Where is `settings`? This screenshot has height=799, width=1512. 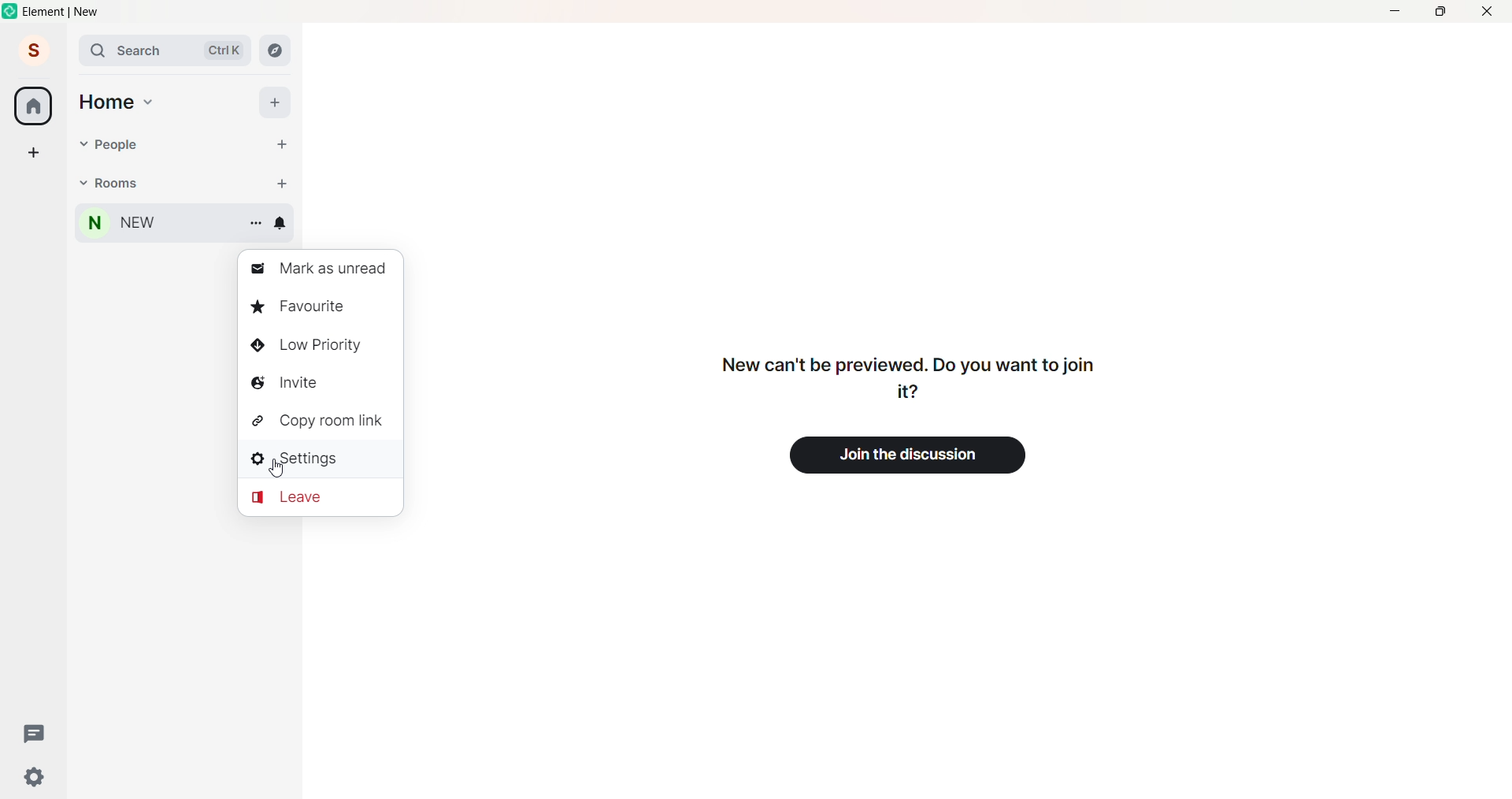 settings is located at coordinates (303, 458).